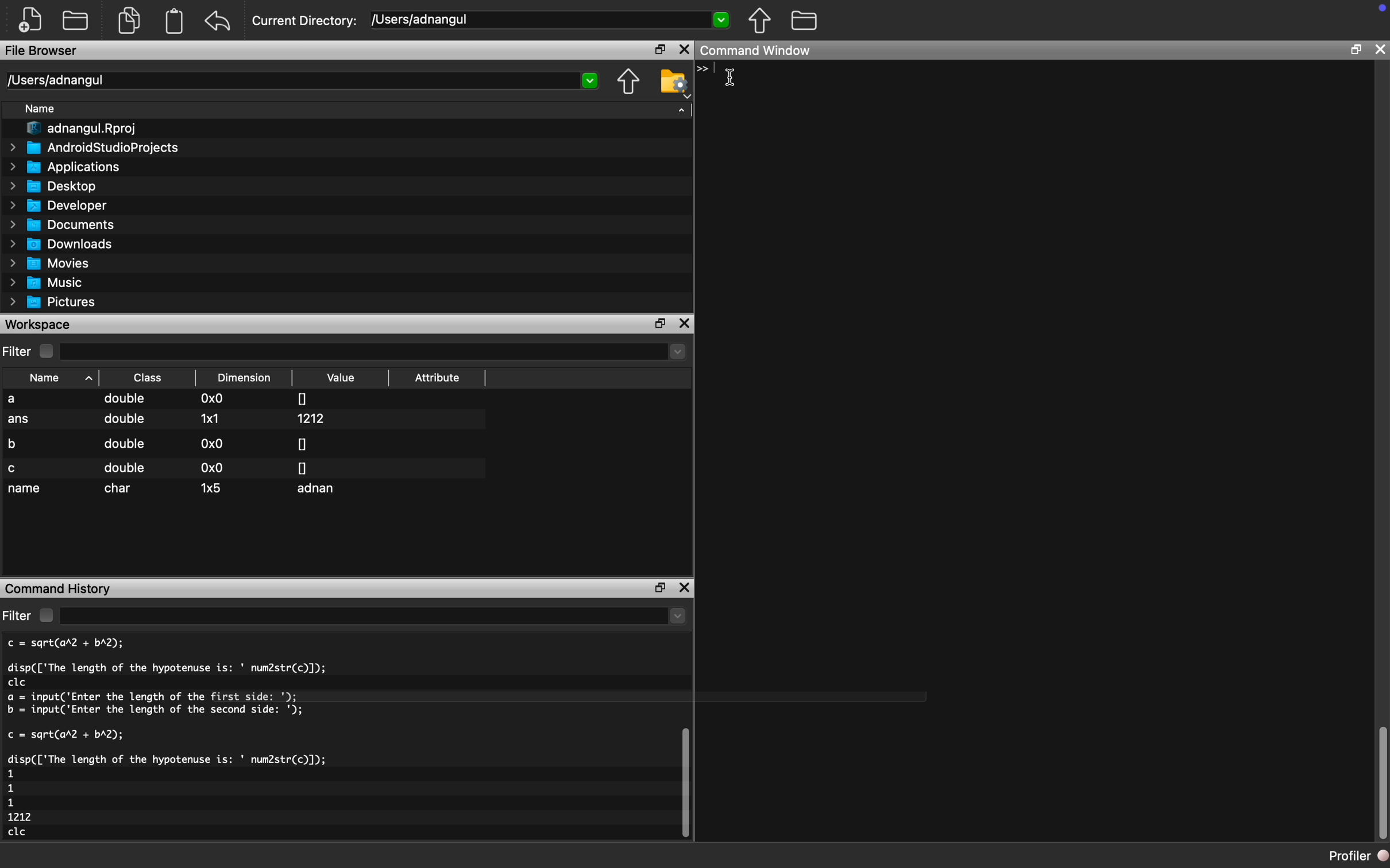  Describe the element at coordinates (1376, 14) in the screenshot. I see `icon` at that location.